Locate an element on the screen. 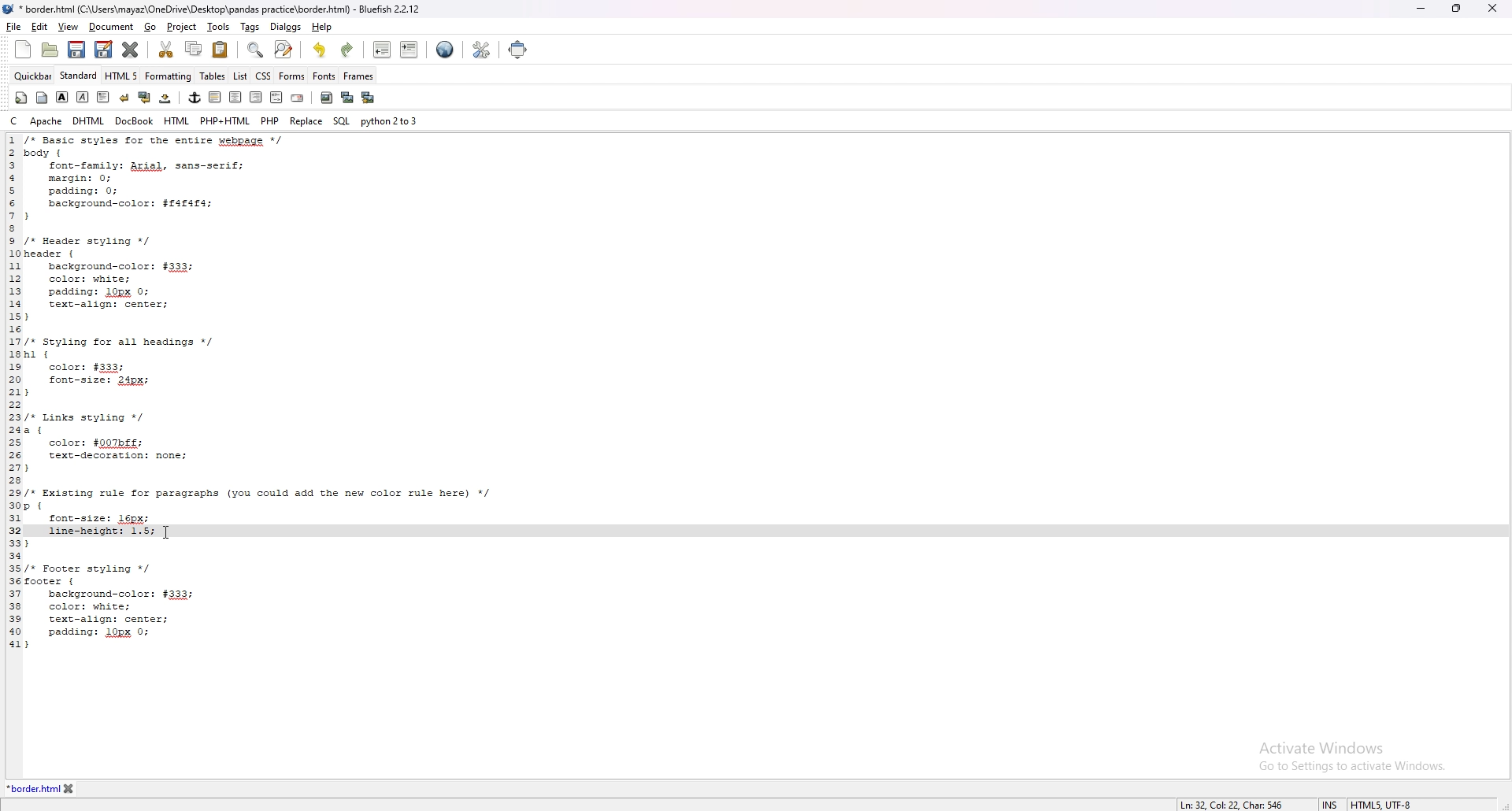 The width and height of the screenshot is (1512, 811). project is located at coordinates (180, 28).